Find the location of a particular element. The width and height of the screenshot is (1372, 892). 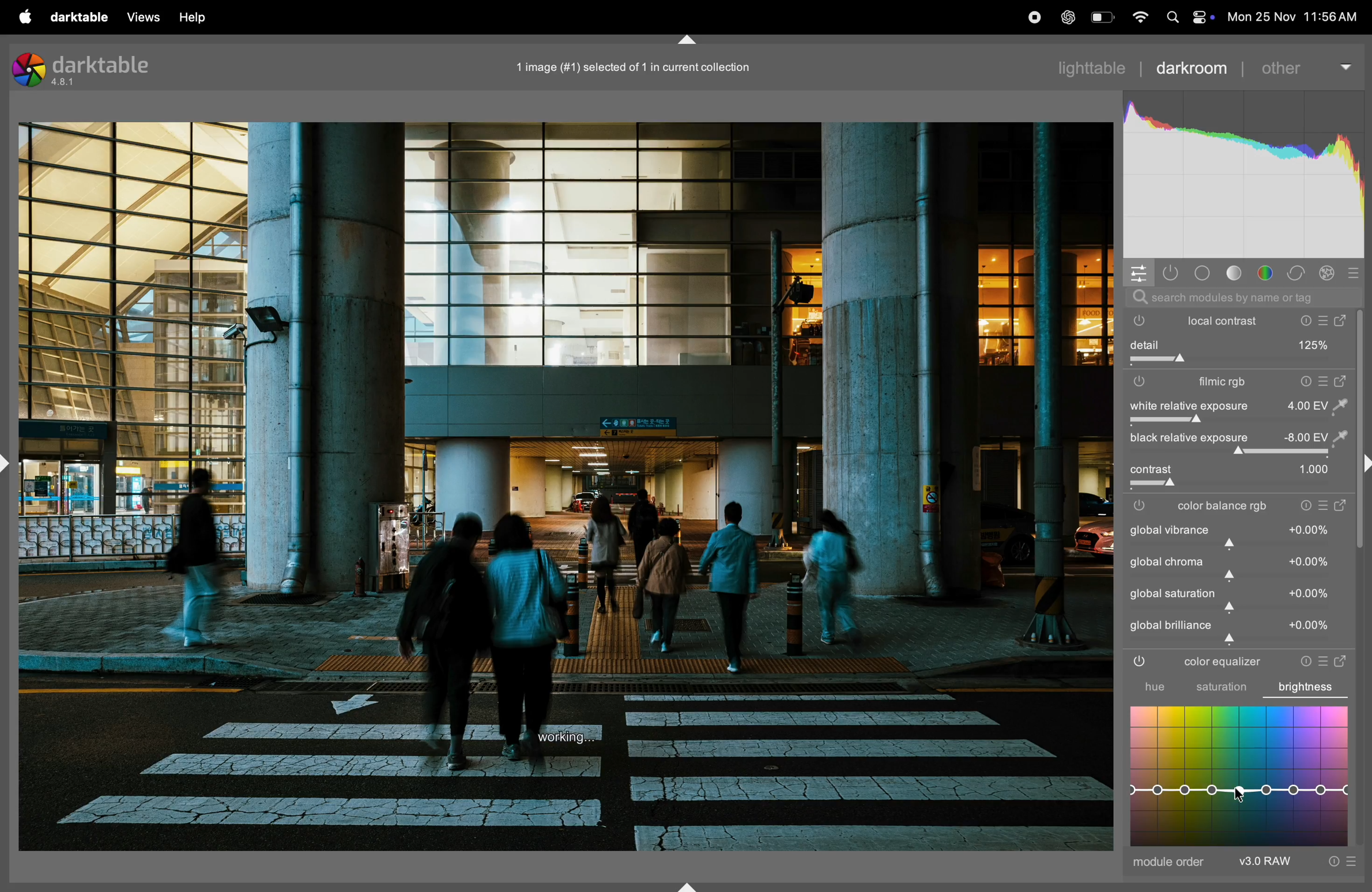

record is located at coordinates (1036, 16).